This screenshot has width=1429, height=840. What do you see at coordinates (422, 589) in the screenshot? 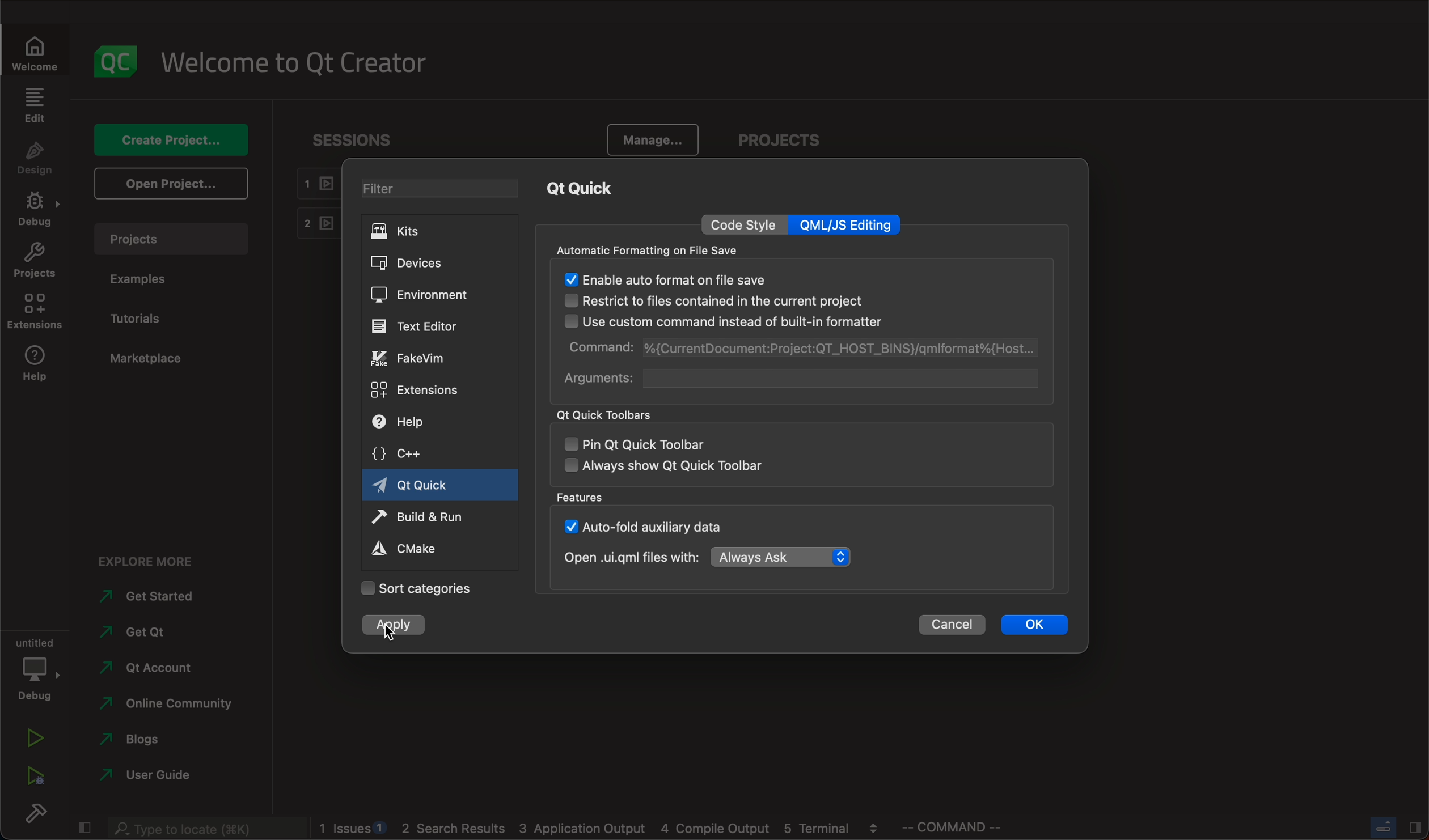
I see `categories` at bounding box center [422, 589].